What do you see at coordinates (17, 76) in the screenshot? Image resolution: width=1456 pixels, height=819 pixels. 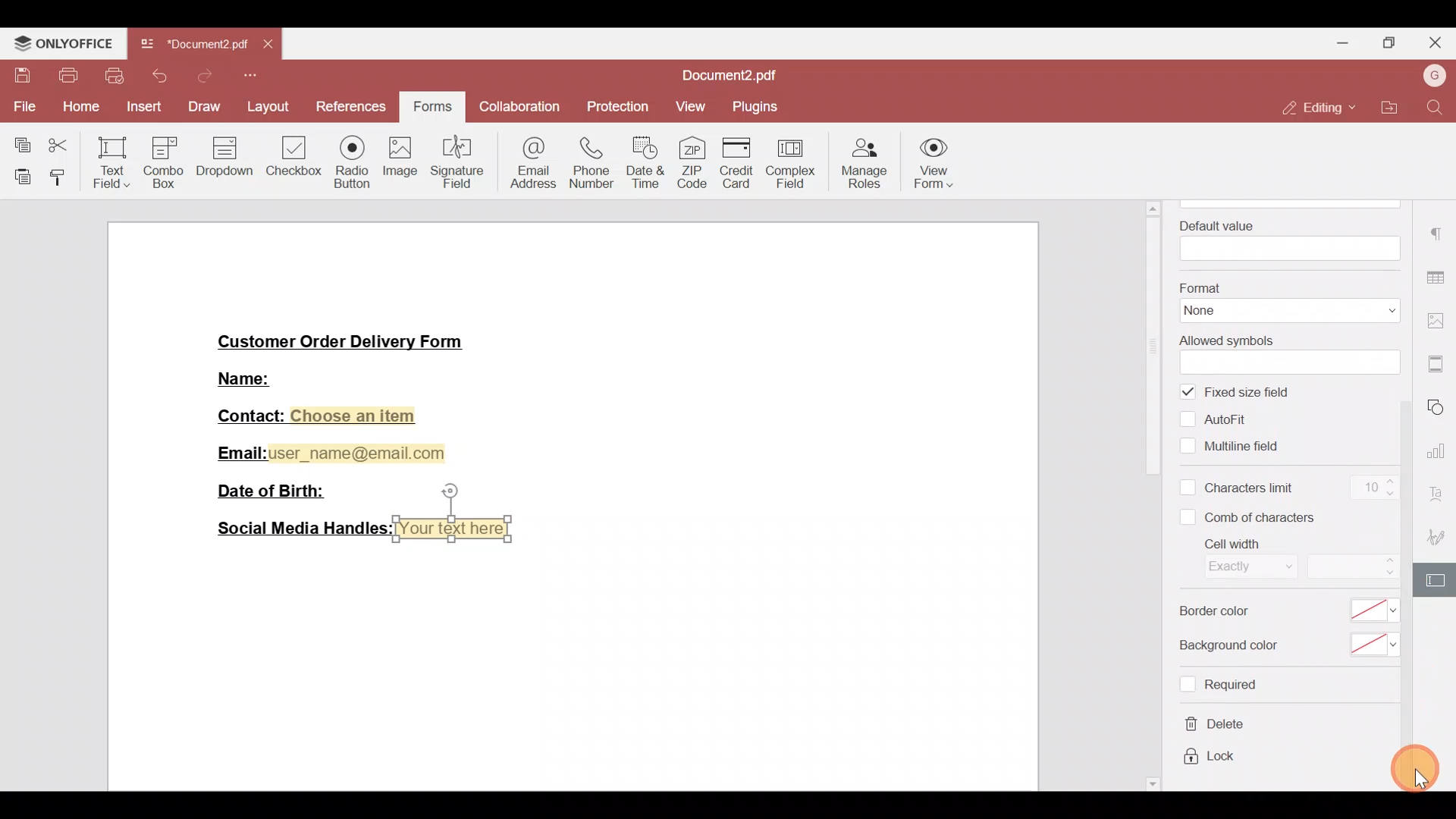 I see `Save` at bounding box center [17, 76].